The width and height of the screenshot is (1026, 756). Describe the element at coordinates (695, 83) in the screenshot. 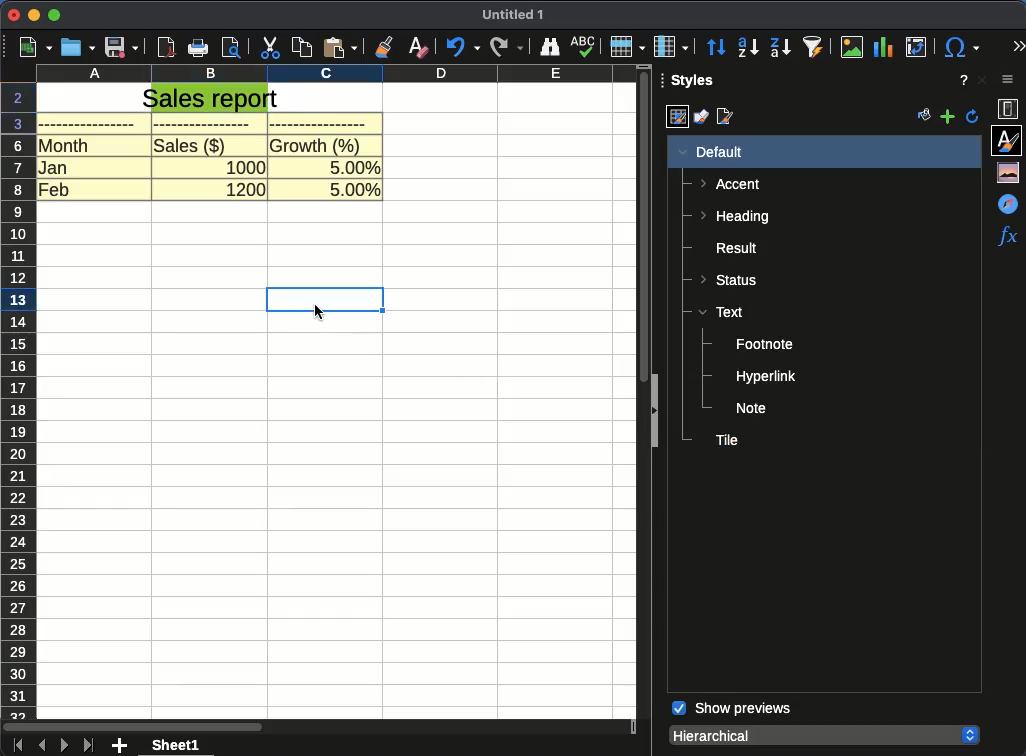

I see `styles` at that location.